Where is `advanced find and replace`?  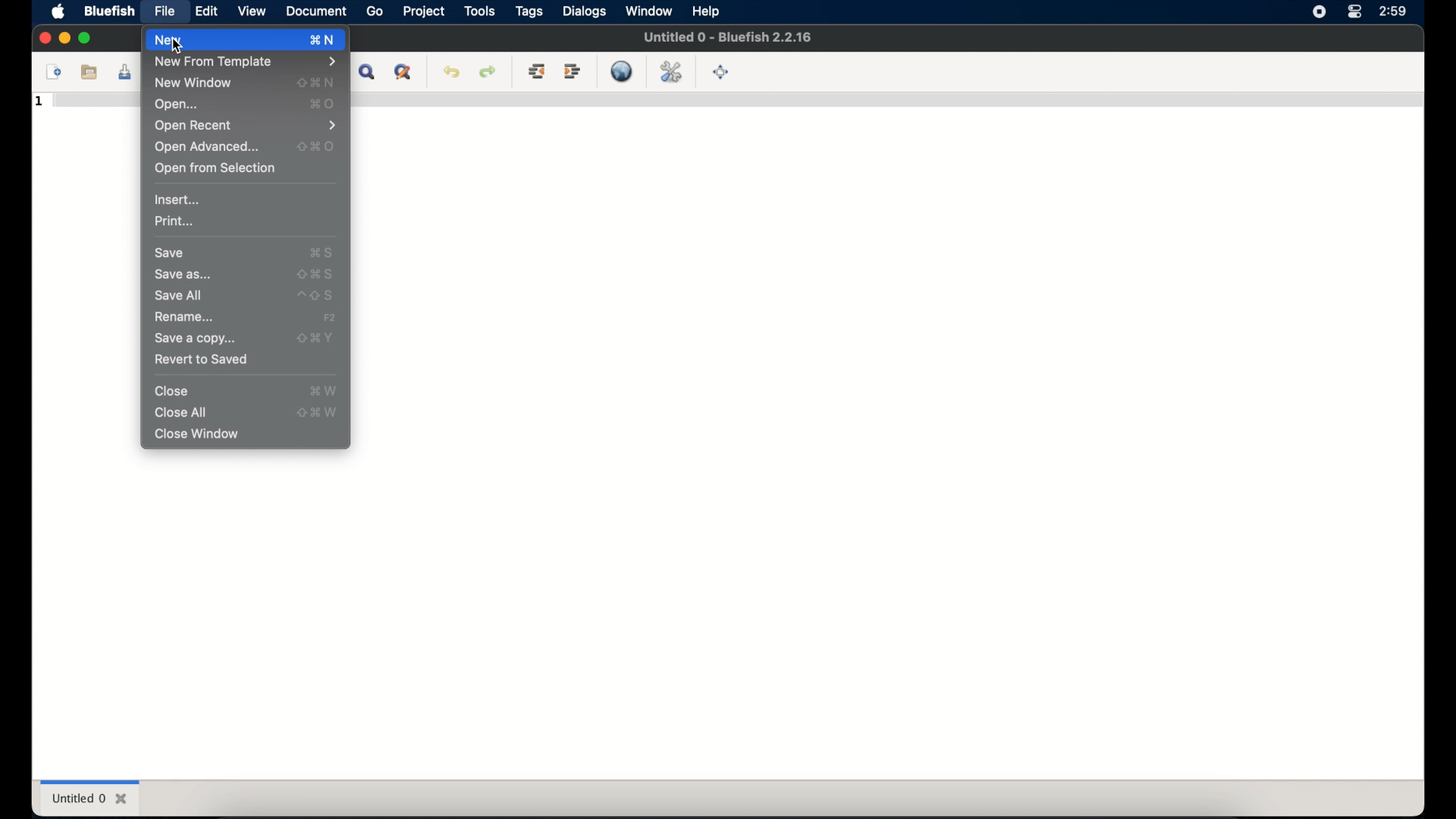
advanced find and replace is located at coordinates (404, 73).